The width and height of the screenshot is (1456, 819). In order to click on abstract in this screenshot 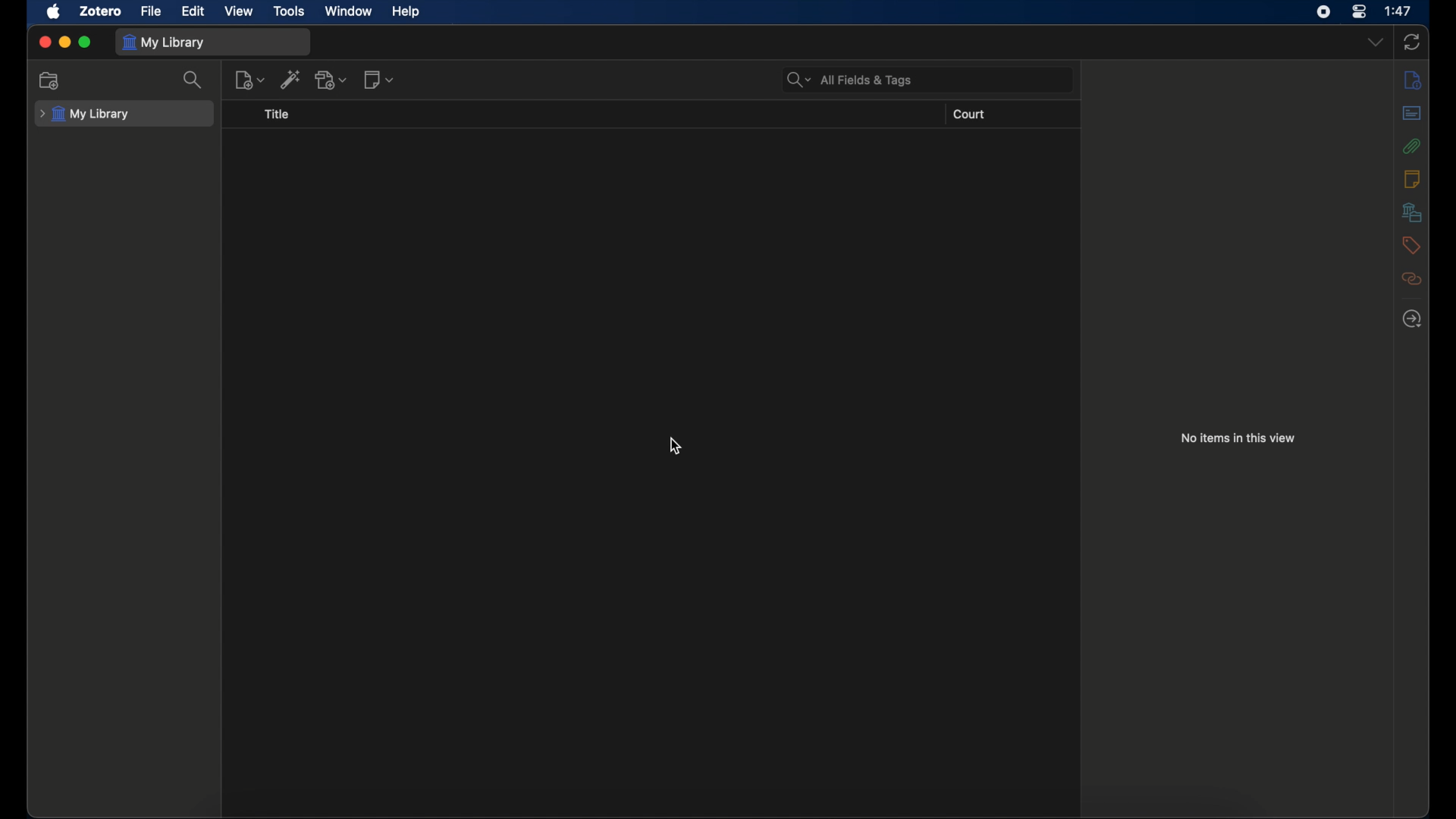, I will do `click(1410, 113)`.